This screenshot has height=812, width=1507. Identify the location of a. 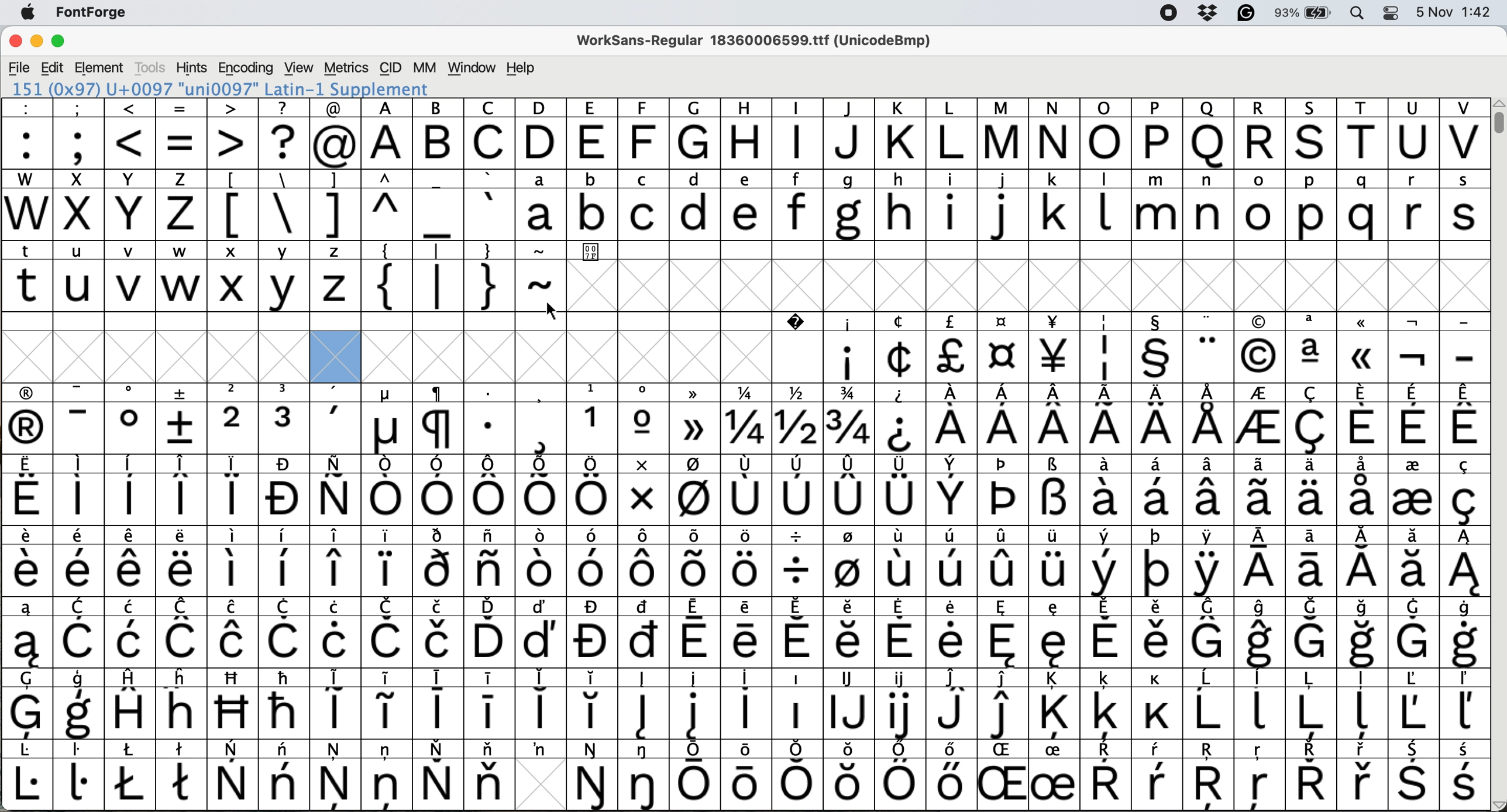
(541, 204).